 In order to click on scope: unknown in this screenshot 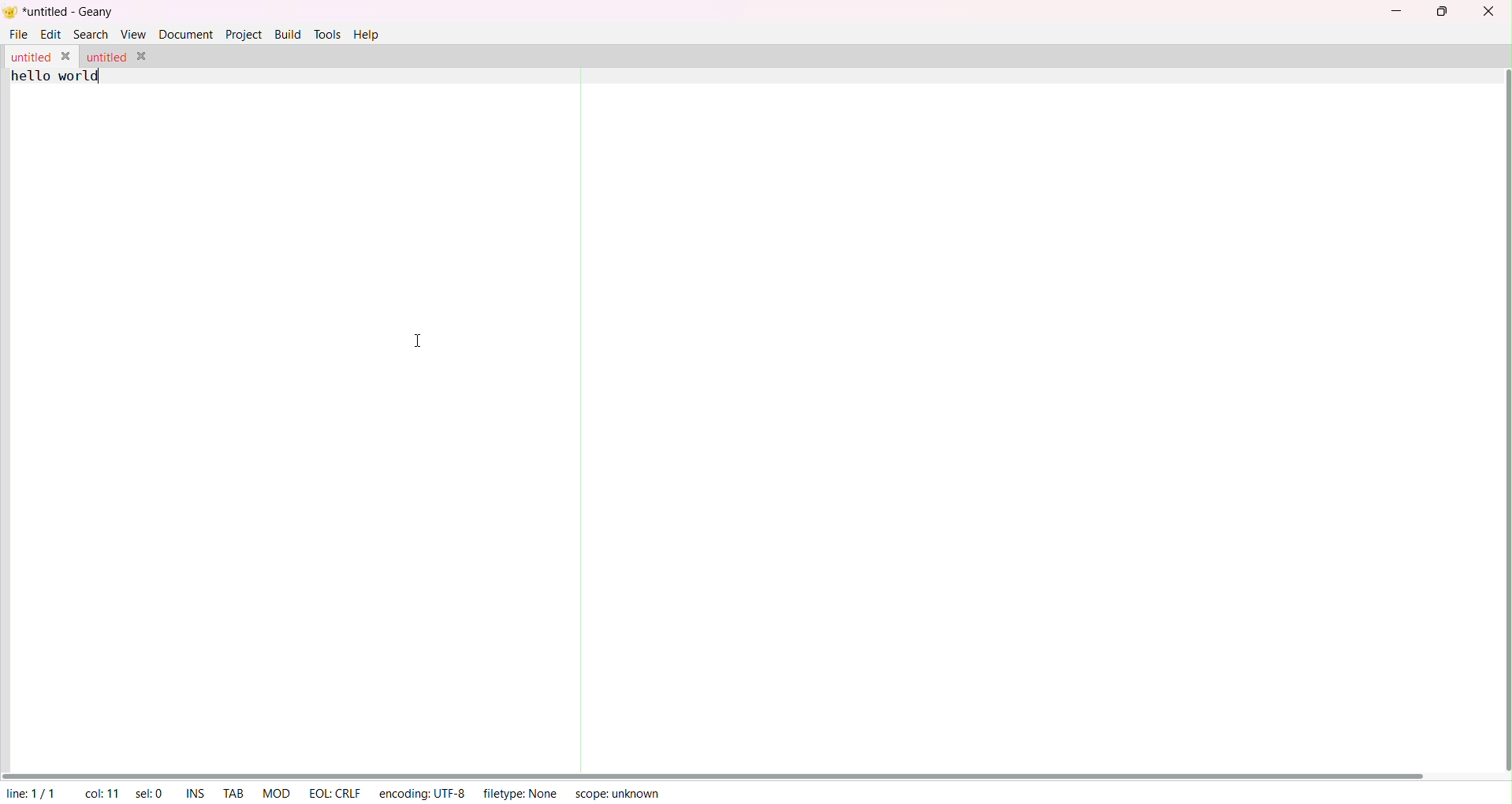, I will do `click(619, 794)`.